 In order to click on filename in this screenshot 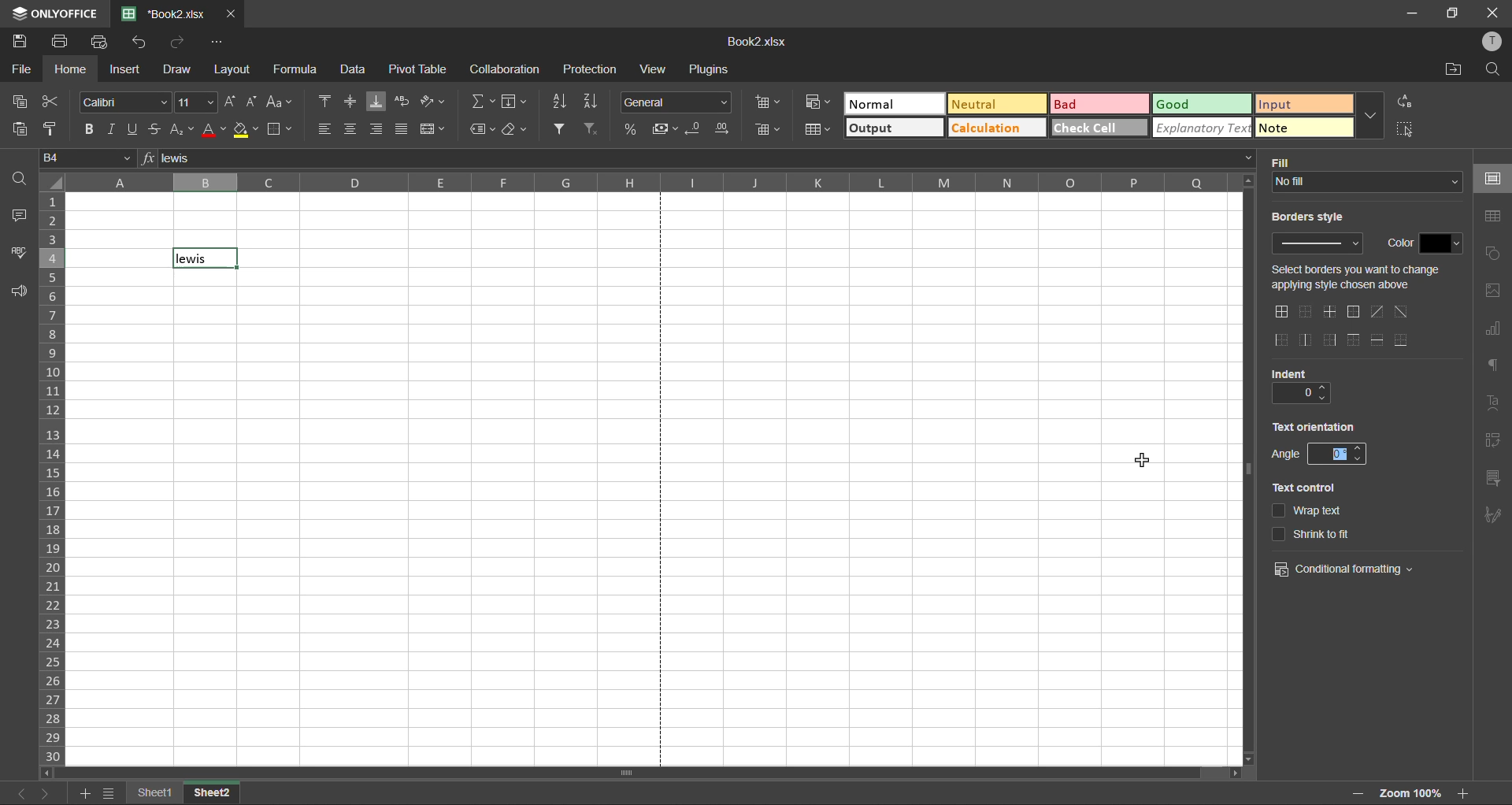, I will do `click(164, 14)`.